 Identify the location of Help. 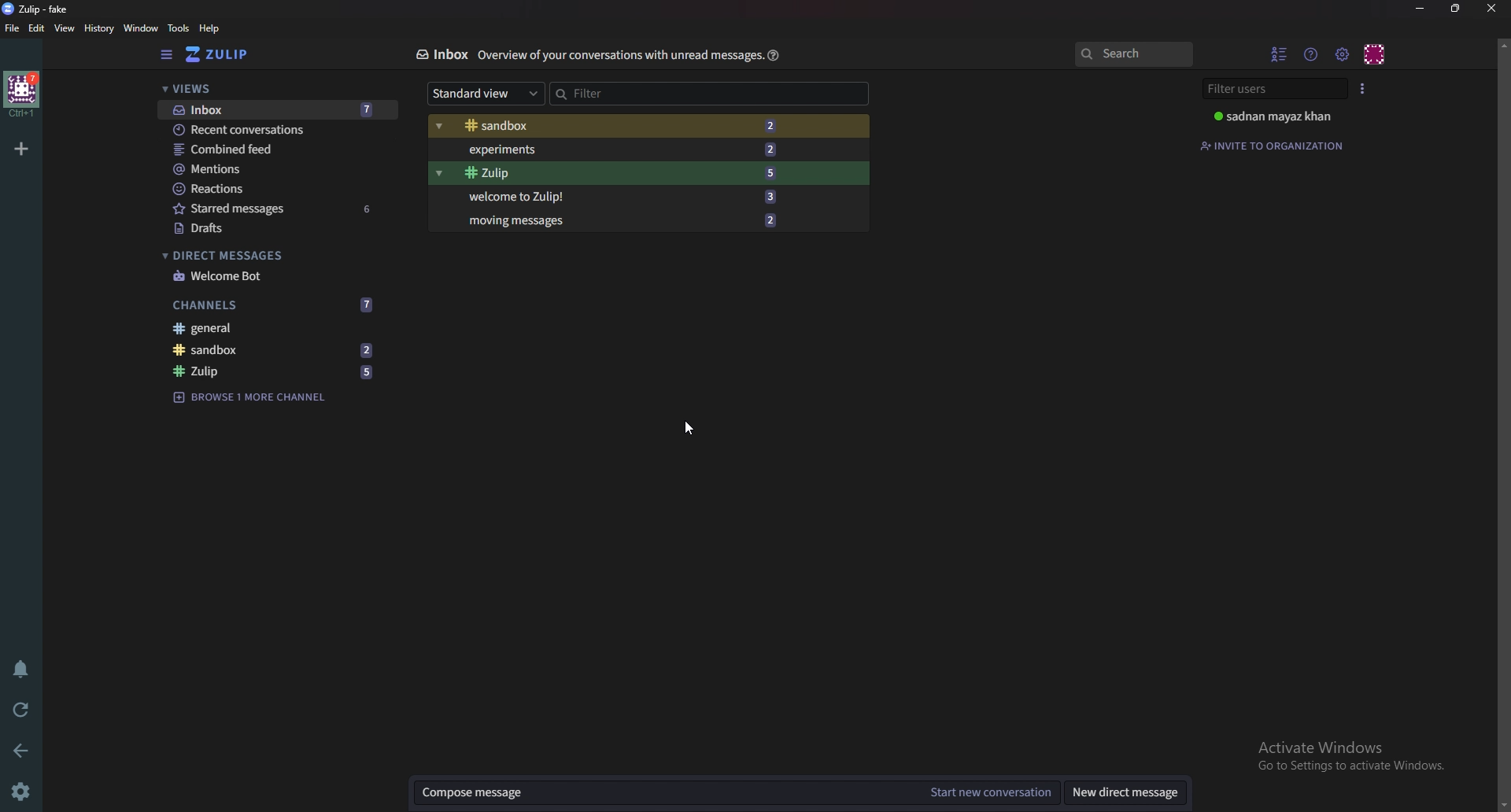
(774, 54).